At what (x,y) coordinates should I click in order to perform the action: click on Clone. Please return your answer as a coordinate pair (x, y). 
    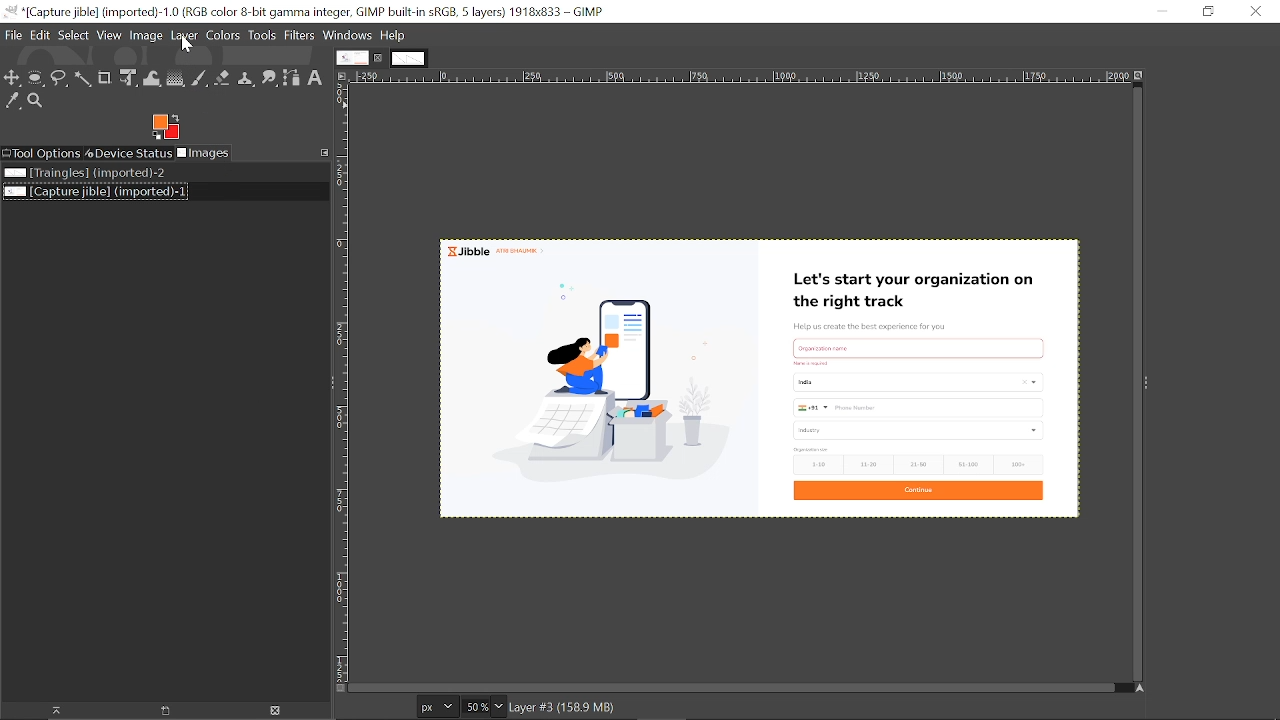
    Looking at the image, I should click on (247, 77).